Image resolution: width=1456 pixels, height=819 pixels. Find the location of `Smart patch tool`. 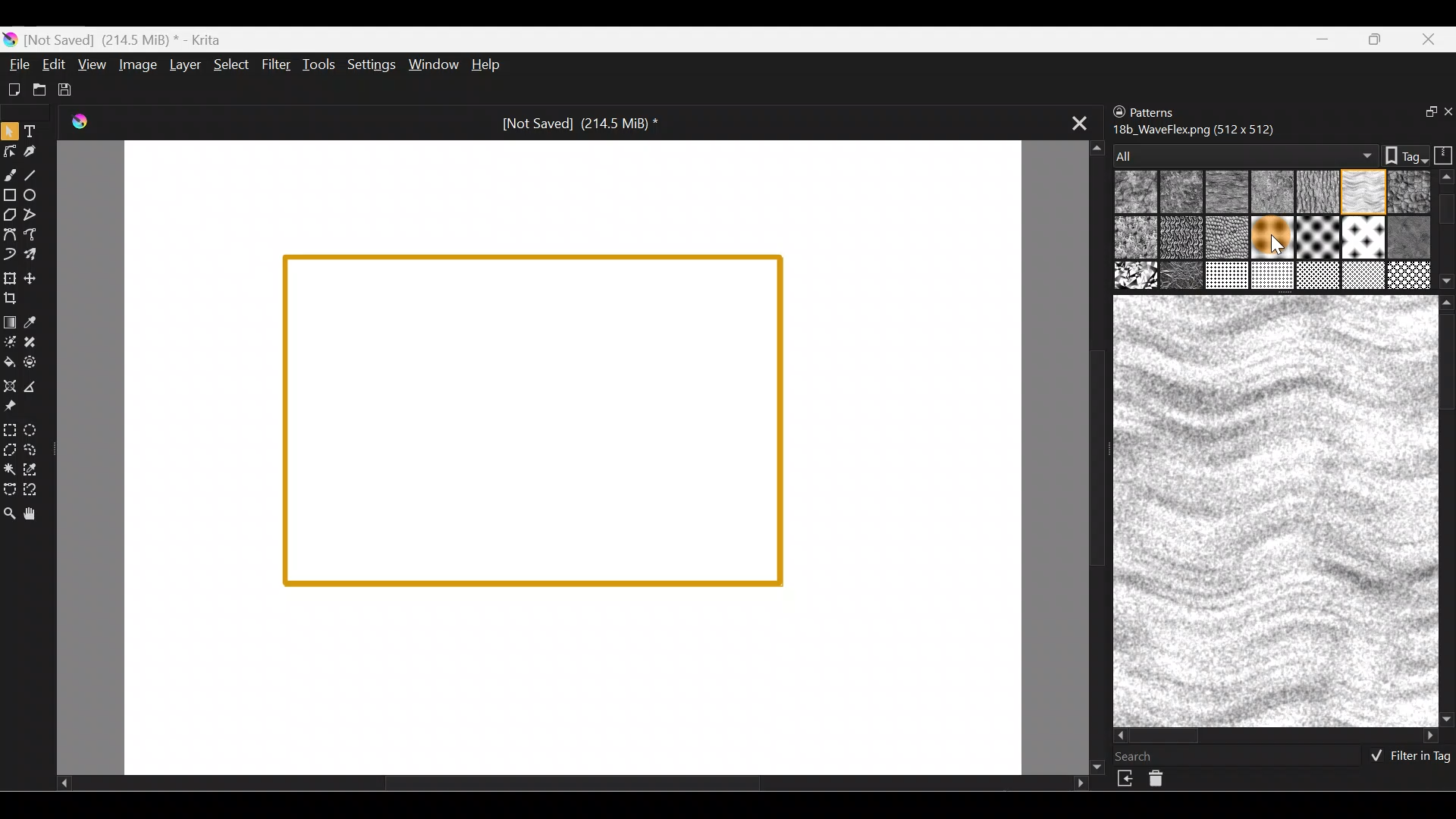

Smart patch tool is located at coordinates (39, 344).